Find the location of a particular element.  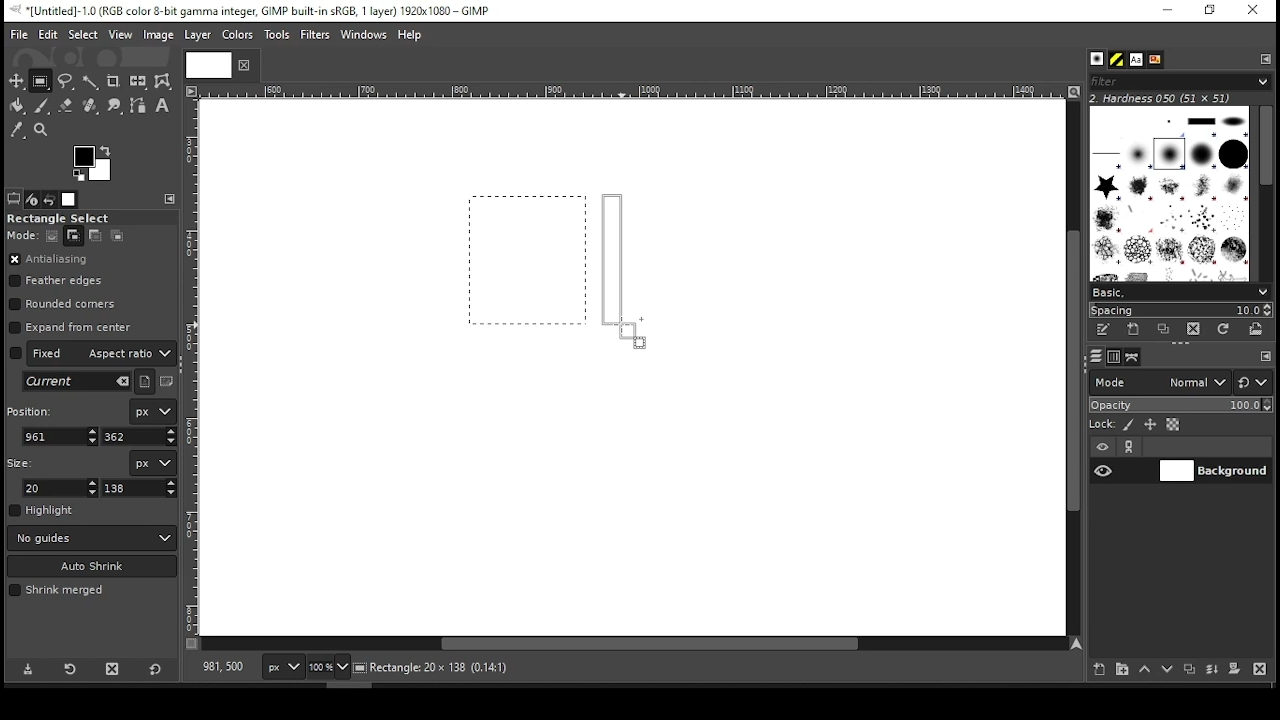

paths is located at coordinates (1135, 356).